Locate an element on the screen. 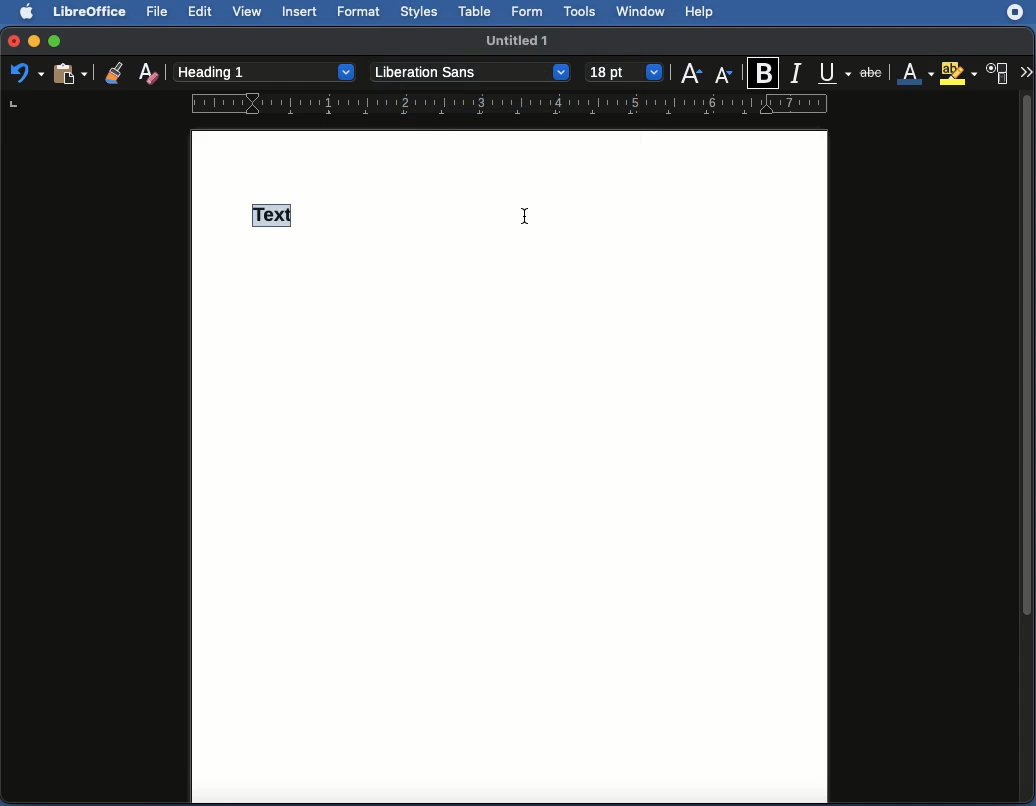 This screenshot has height=806, width=1036. Form is located at coordinates (530, 12).